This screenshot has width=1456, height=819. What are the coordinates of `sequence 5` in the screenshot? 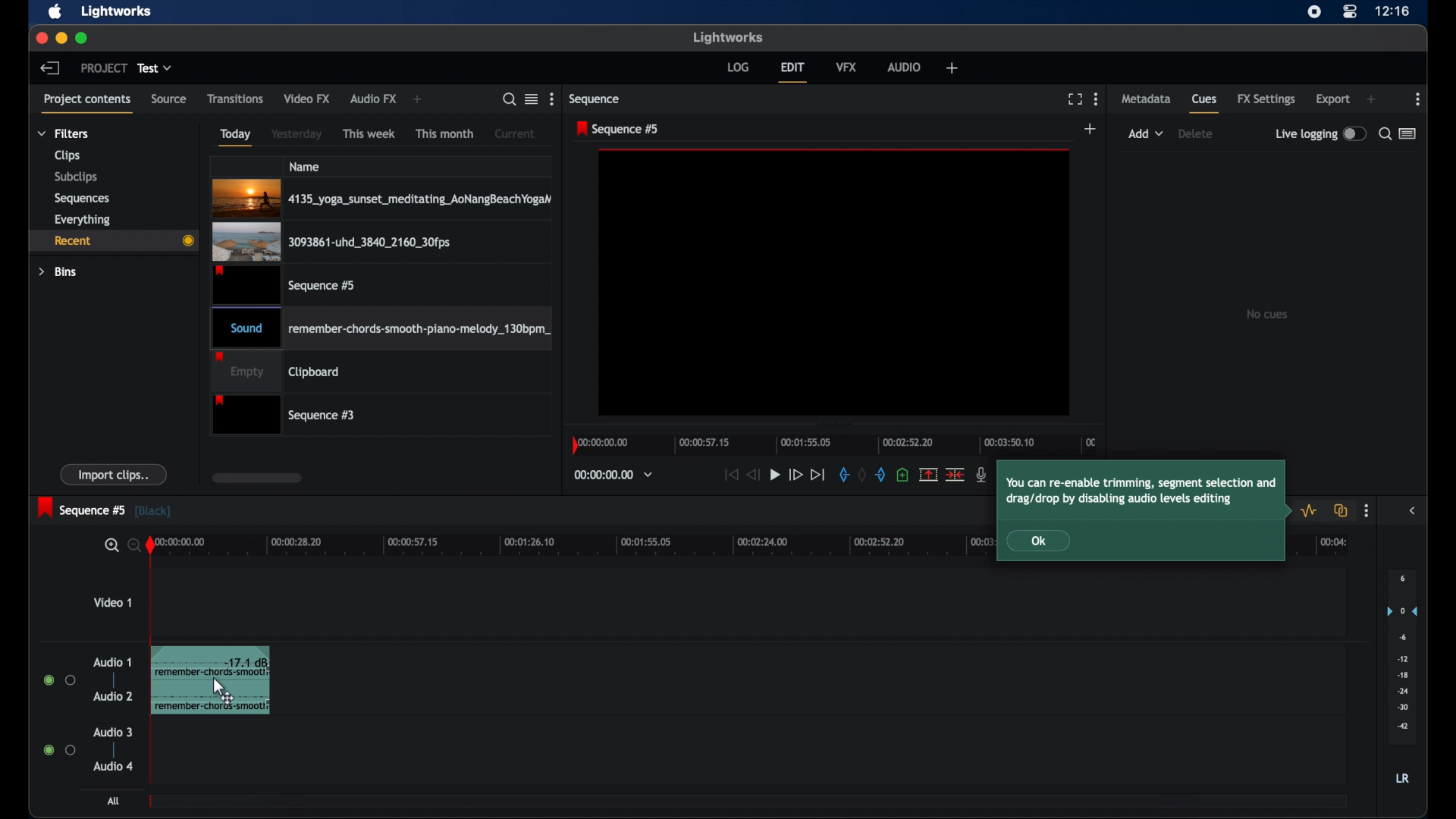 It's located at (619, 128).